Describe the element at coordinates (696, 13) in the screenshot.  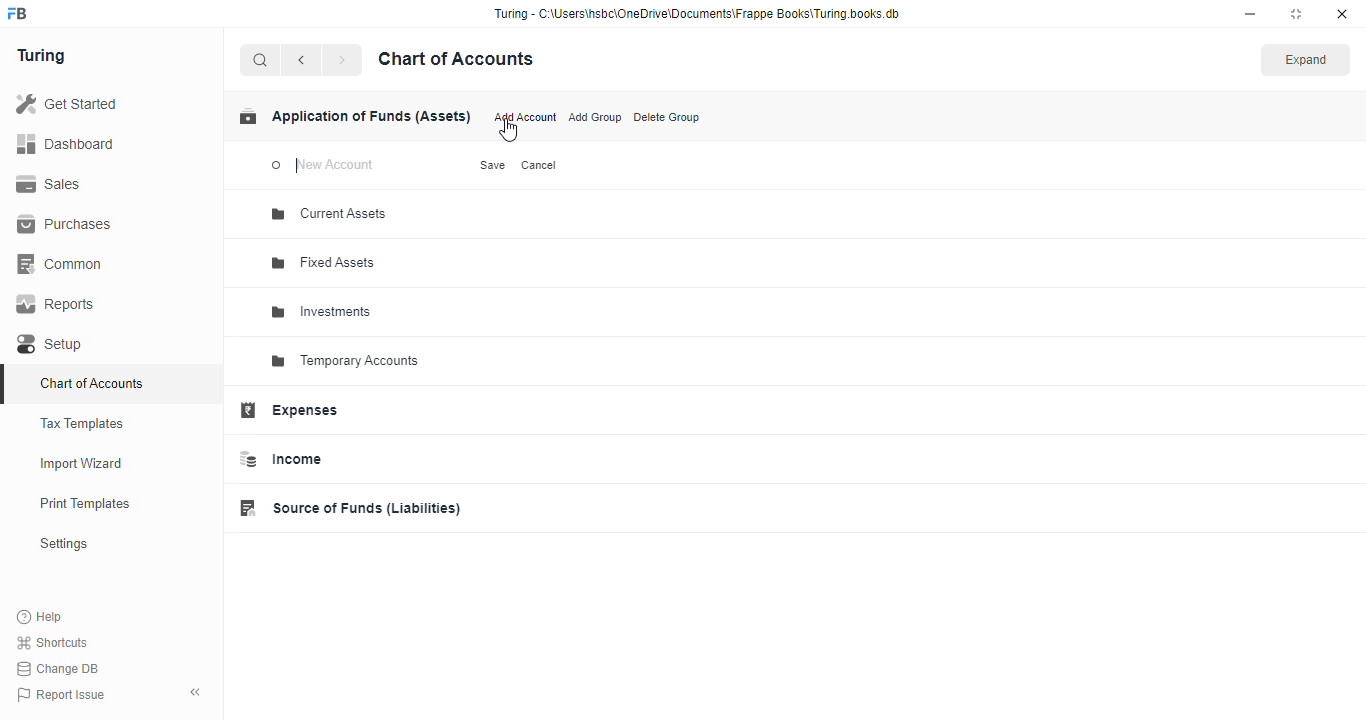
I see `“Turing - C:\Users\hsbc\OneDrive\Documents\Frappe Books\Turing books.db` at that location.